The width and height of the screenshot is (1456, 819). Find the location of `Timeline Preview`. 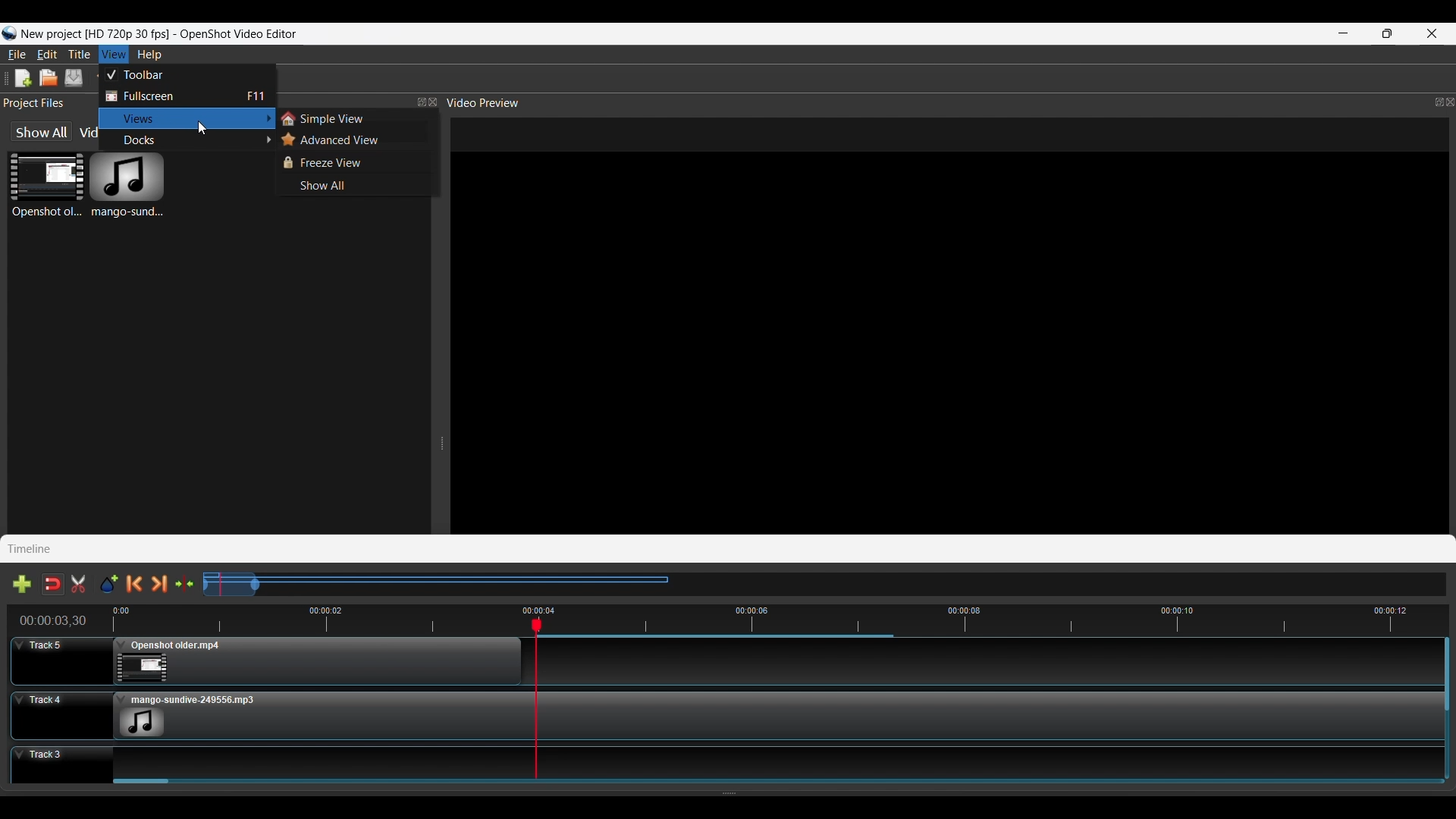

Timeline Preview is located at coordinates (731, 620).